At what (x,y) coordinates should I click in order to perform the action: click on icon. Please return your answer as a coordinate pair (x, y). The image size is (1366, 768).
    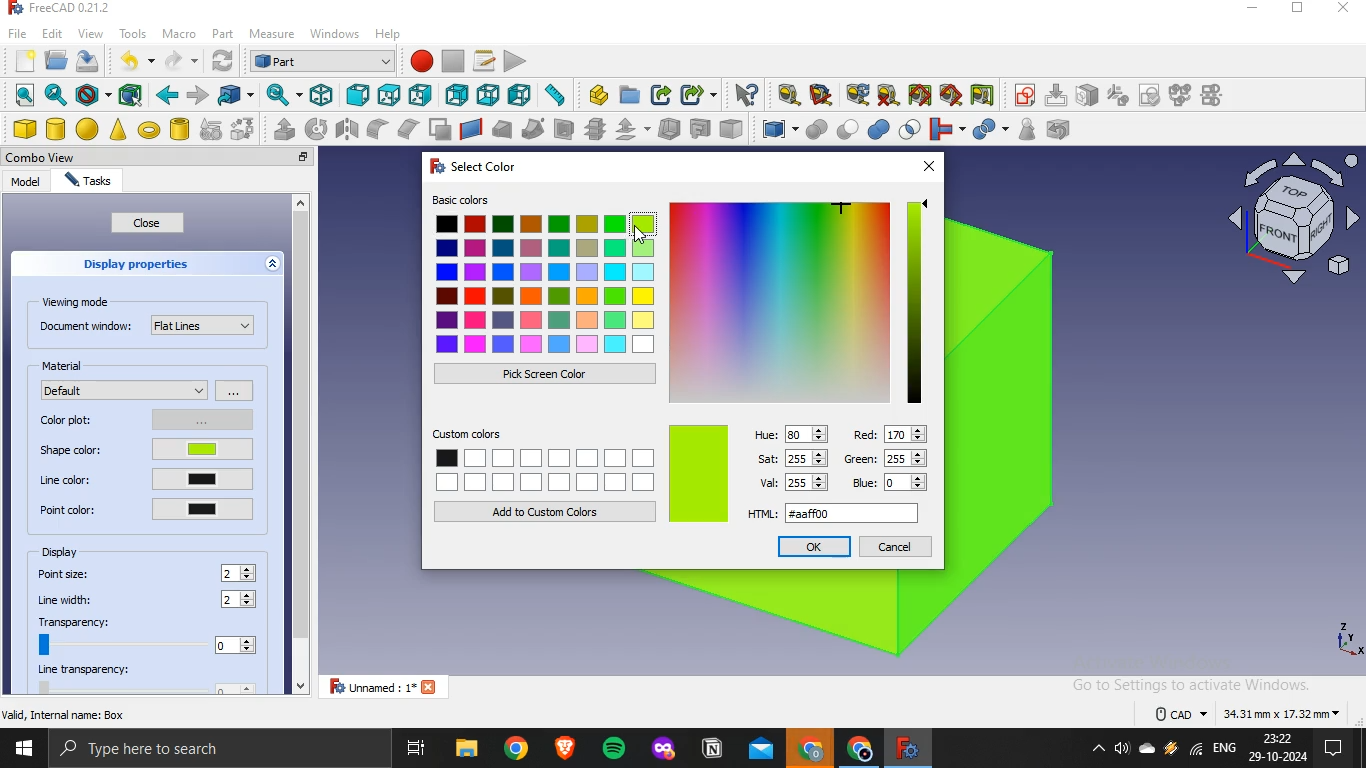
    Looking at the image, I should click on (1118, 94).